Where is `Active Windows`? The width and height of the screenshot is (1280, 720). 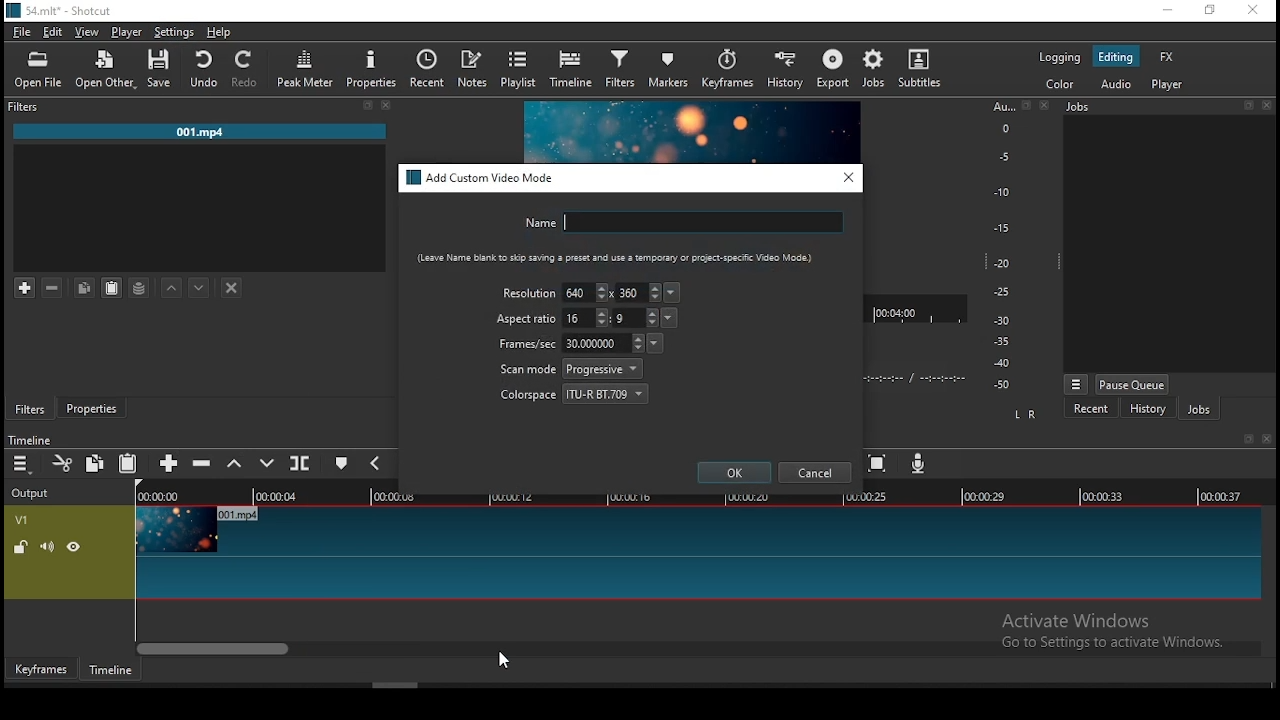
Active Windows is located at coordinates (1084, 620).